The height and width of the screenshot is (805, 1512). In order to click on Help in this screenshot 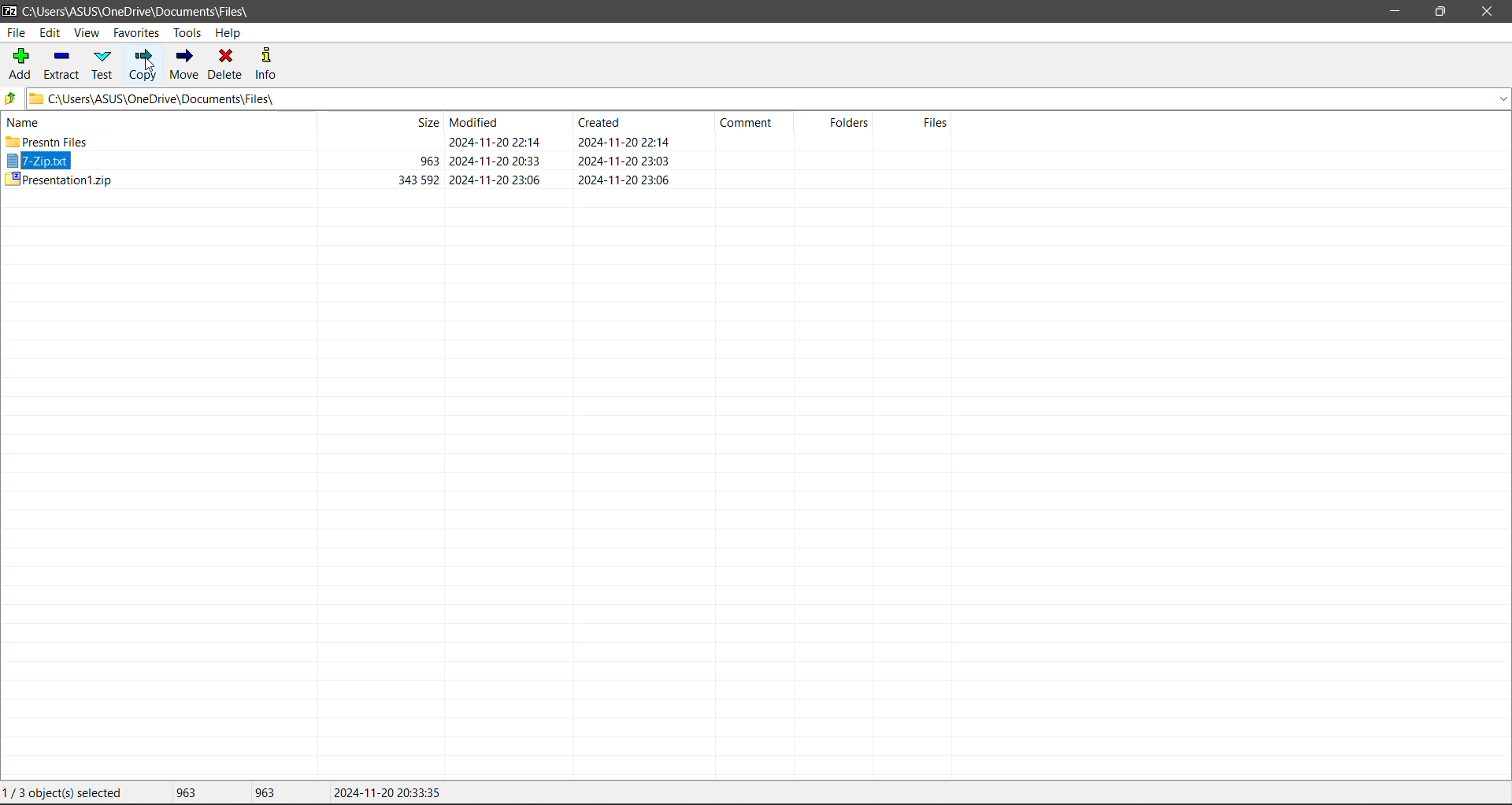, I will do `click(228, 33)`.